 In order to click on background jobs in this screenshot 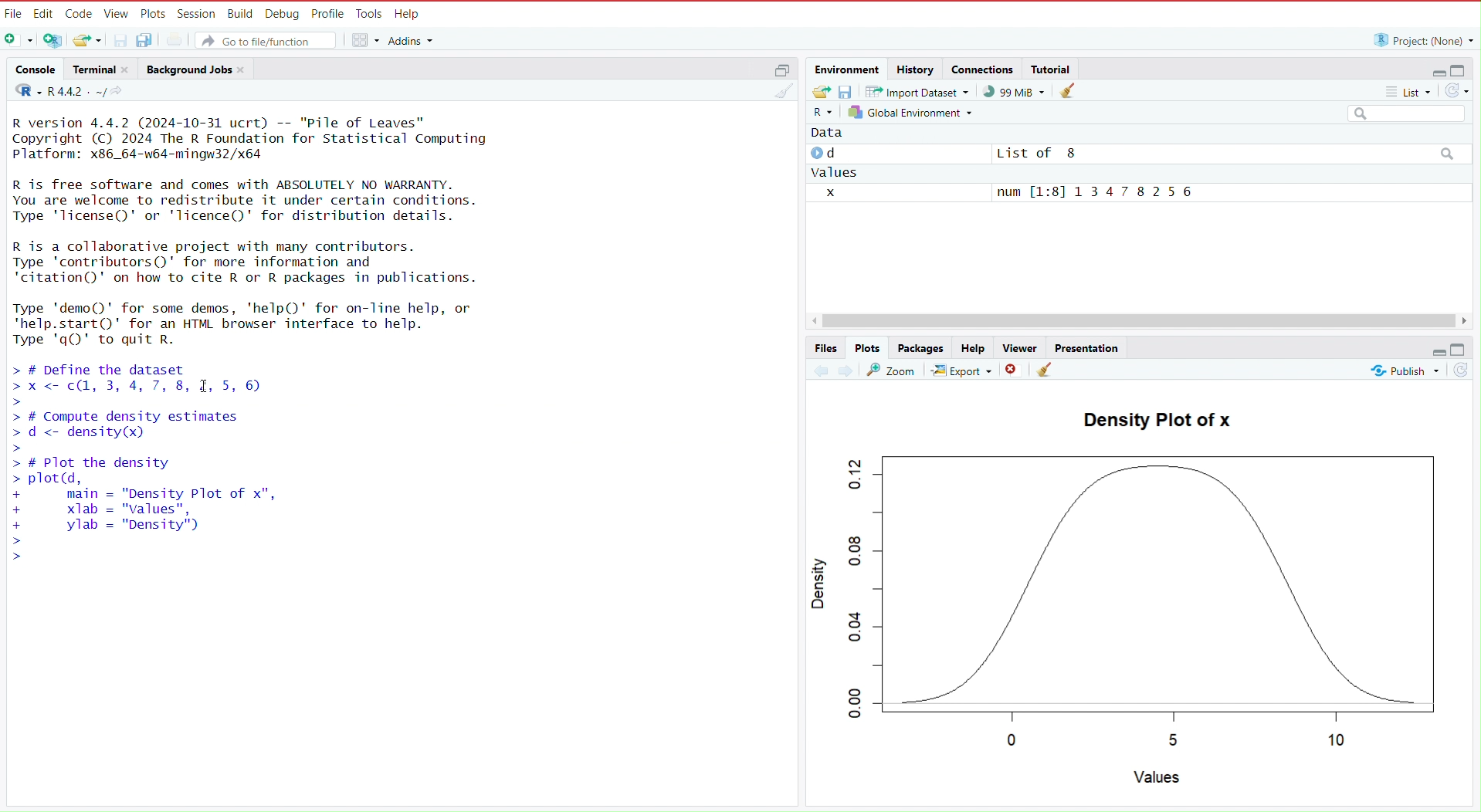, I will do `click(188, 68)`.